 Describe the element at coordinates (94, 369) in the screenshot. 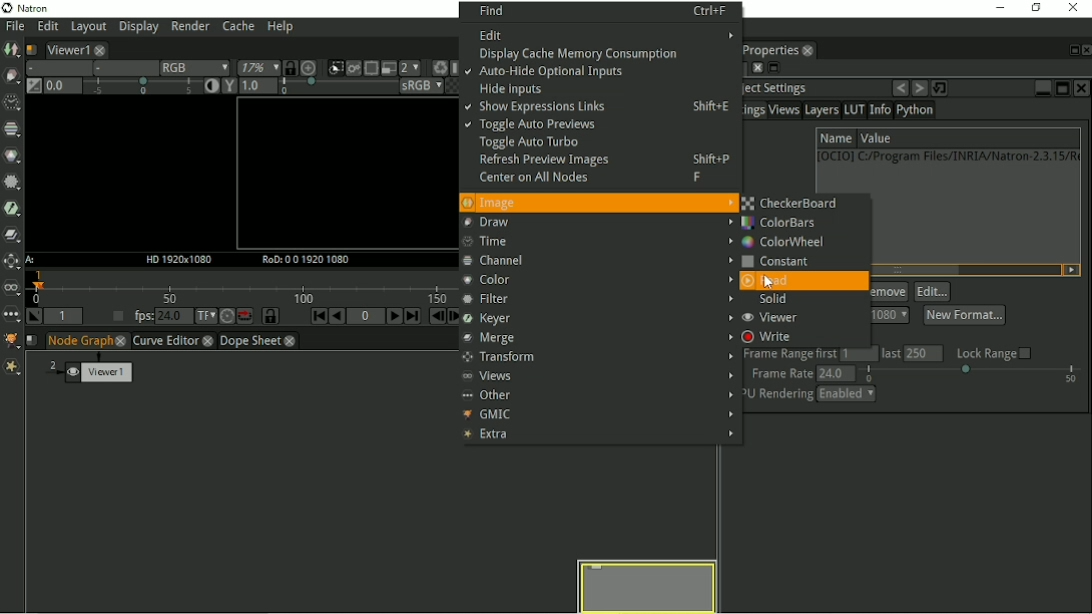

I see `Viewer1` at that location.